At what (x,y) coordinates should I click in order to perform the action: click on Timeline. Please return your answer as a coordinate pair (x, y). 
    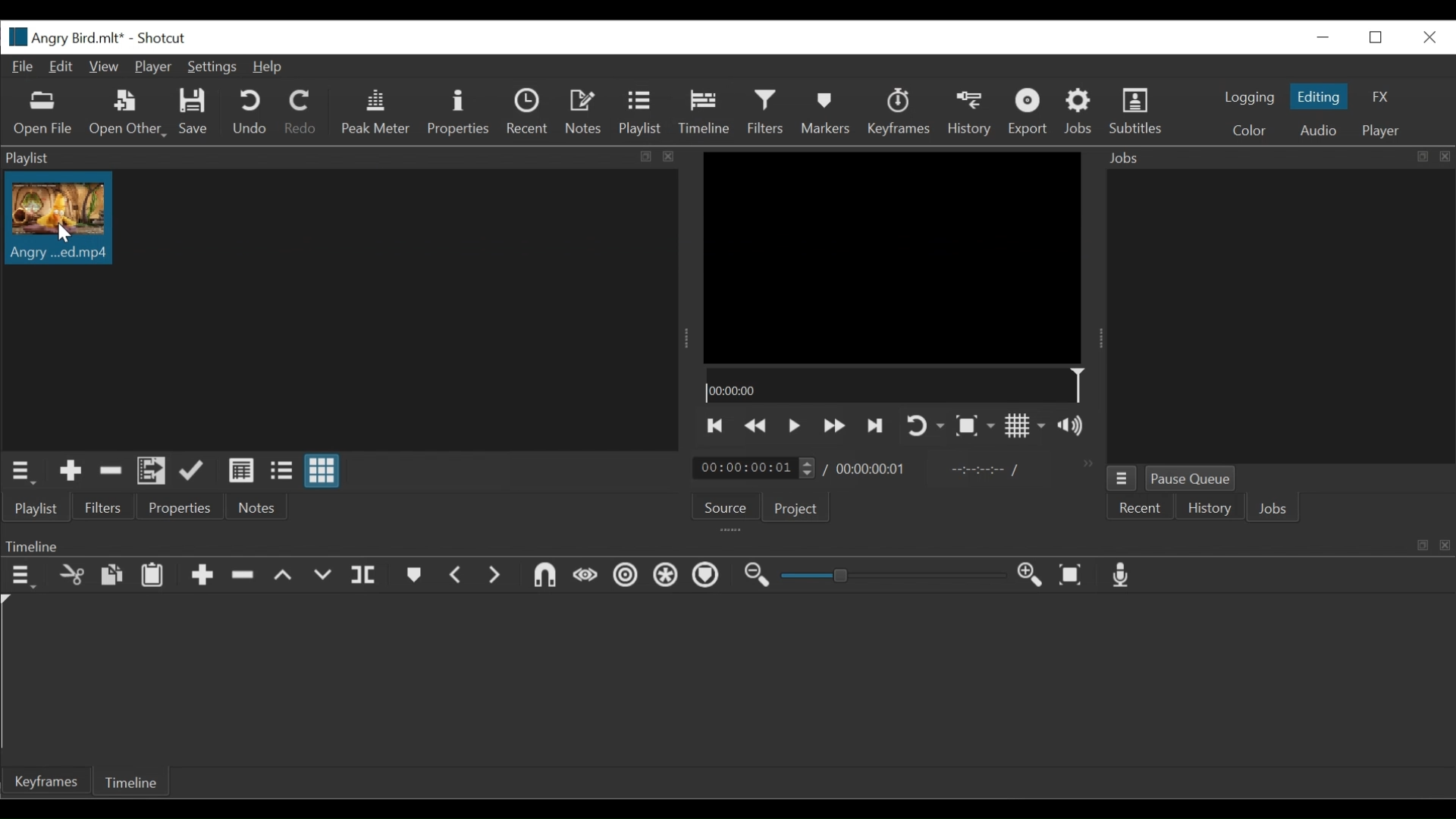
    Looking at the image, I should click on (129, 781).